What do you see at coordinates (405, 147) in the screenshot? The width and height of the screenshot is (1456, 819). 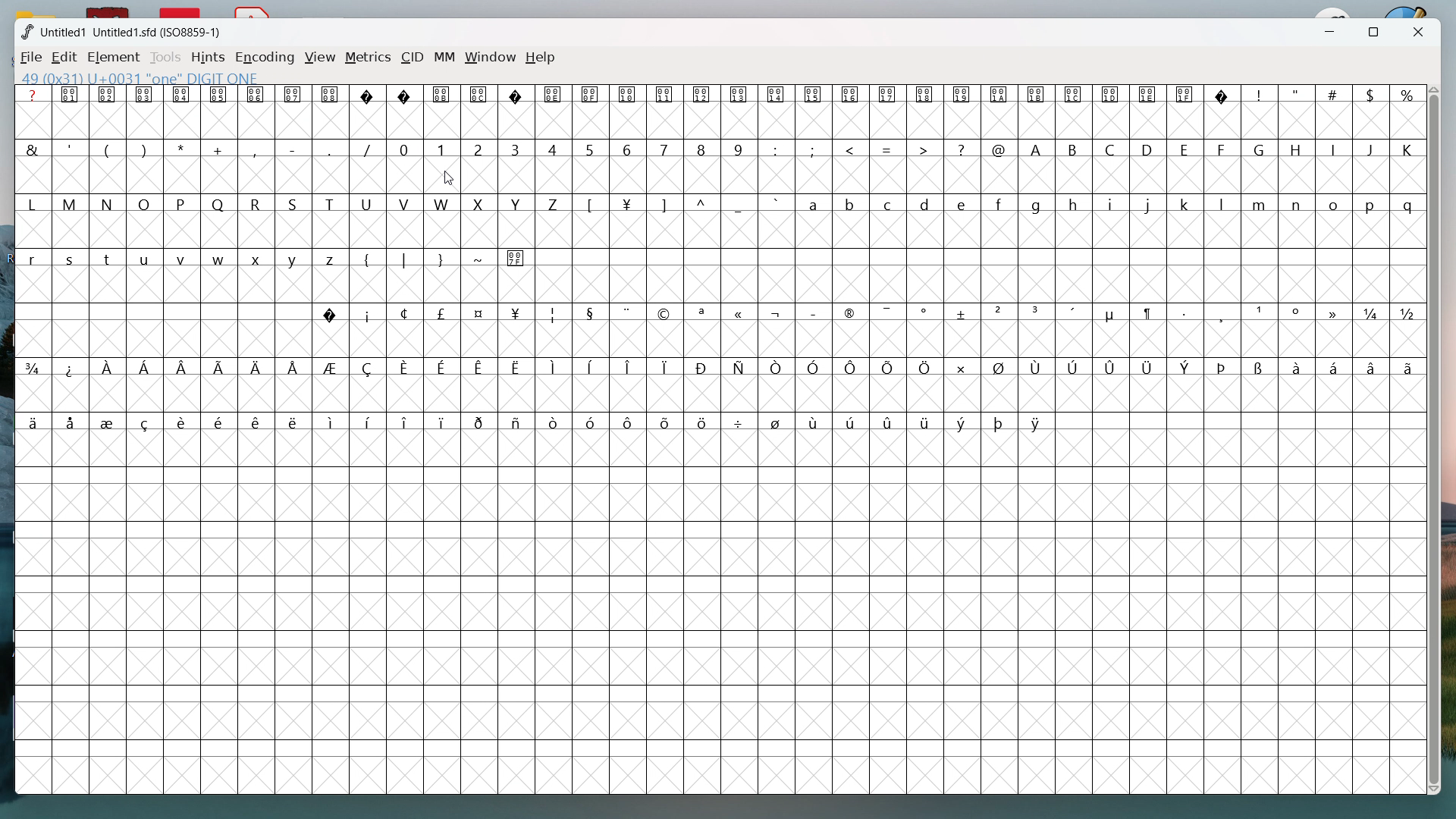 I see `0` at bounding box center [405, 147].